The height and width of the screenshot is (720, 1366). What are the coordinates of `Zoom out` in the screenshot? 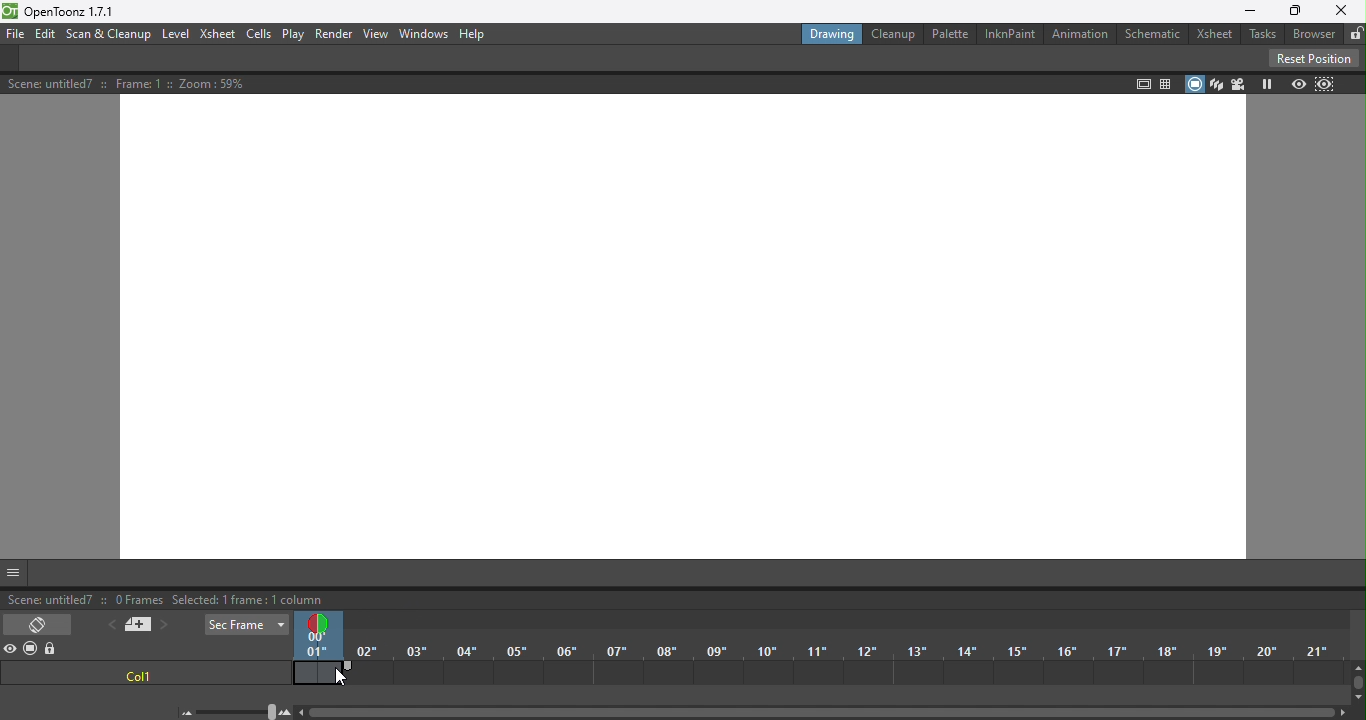 It's located at (185, 712).